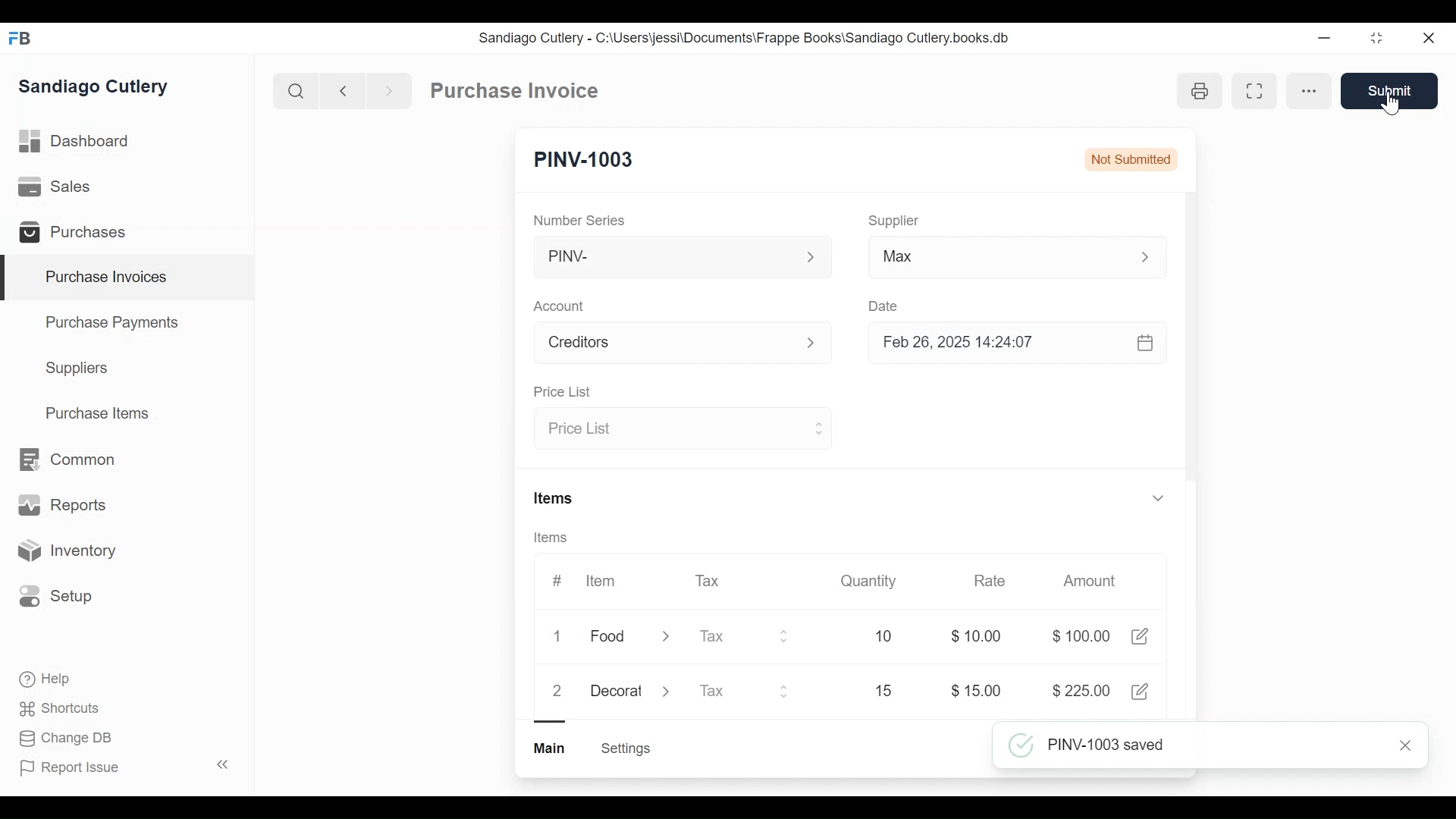 The width and height of the screenshot is (1456, 819). I want to click on Change DB, so click(68, 739).